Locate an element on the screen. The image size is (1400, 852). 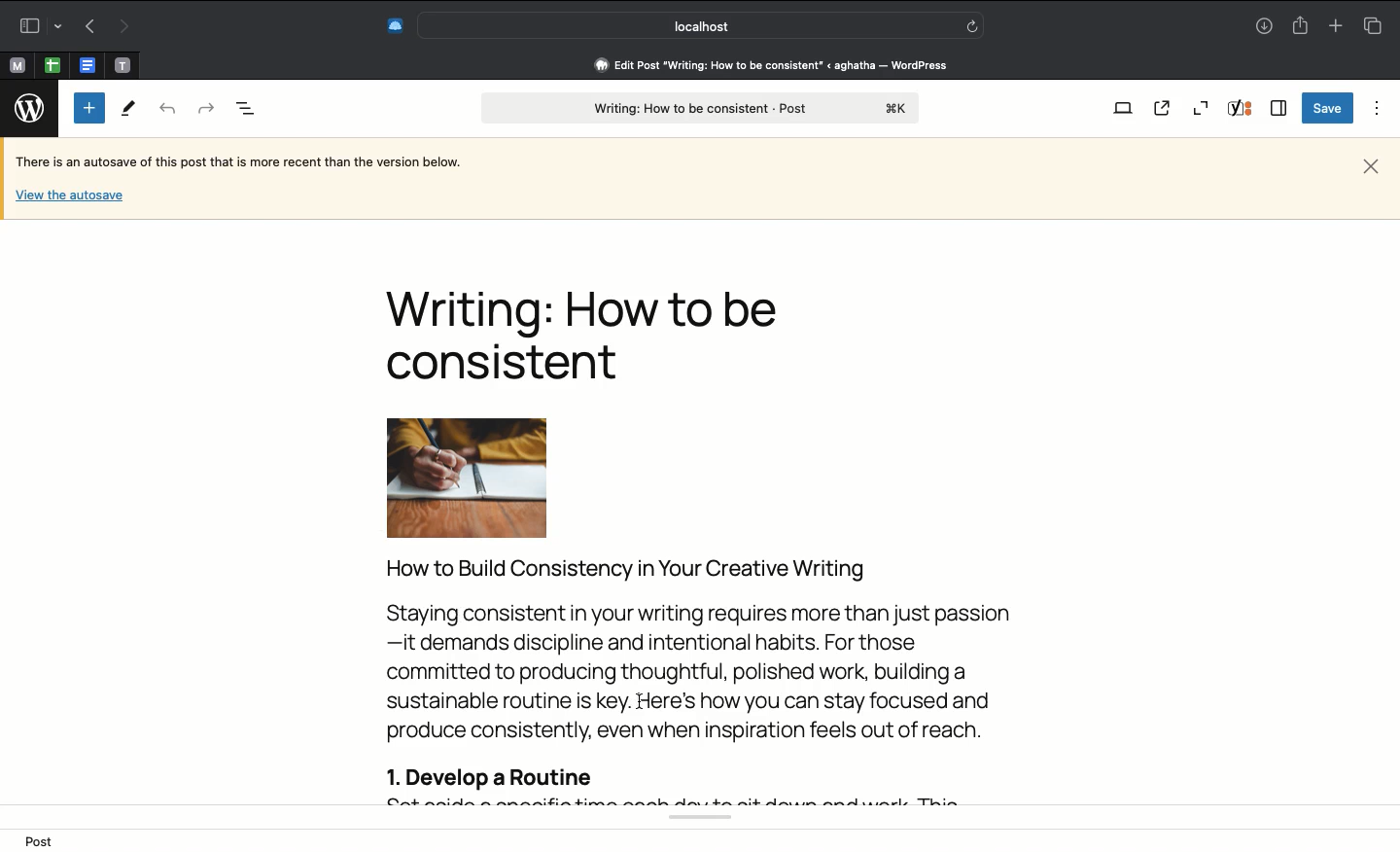
Share is located at coordinates (1303, 26).